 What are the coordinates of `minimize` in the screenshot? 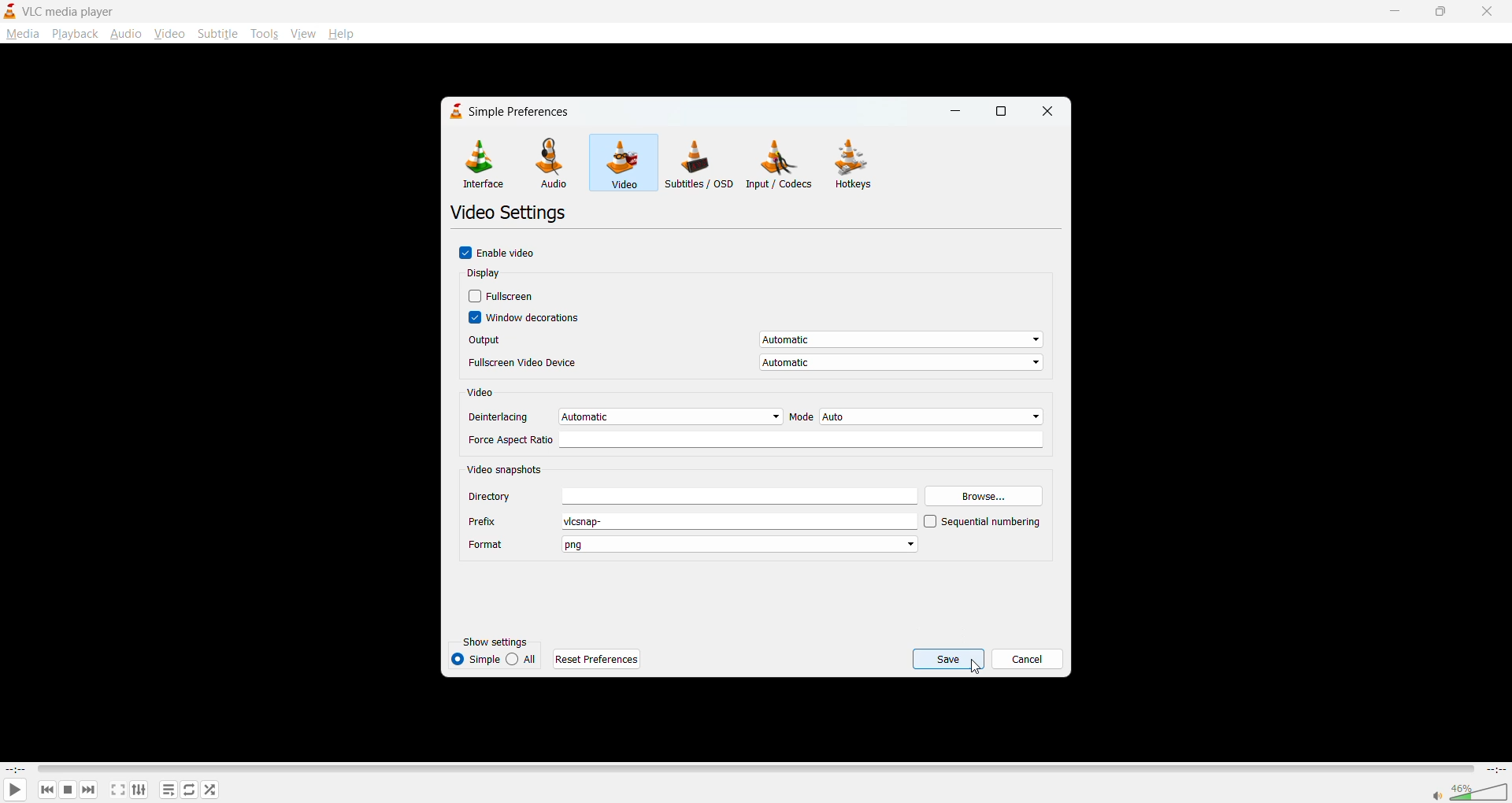 It's located at (1397, 10).